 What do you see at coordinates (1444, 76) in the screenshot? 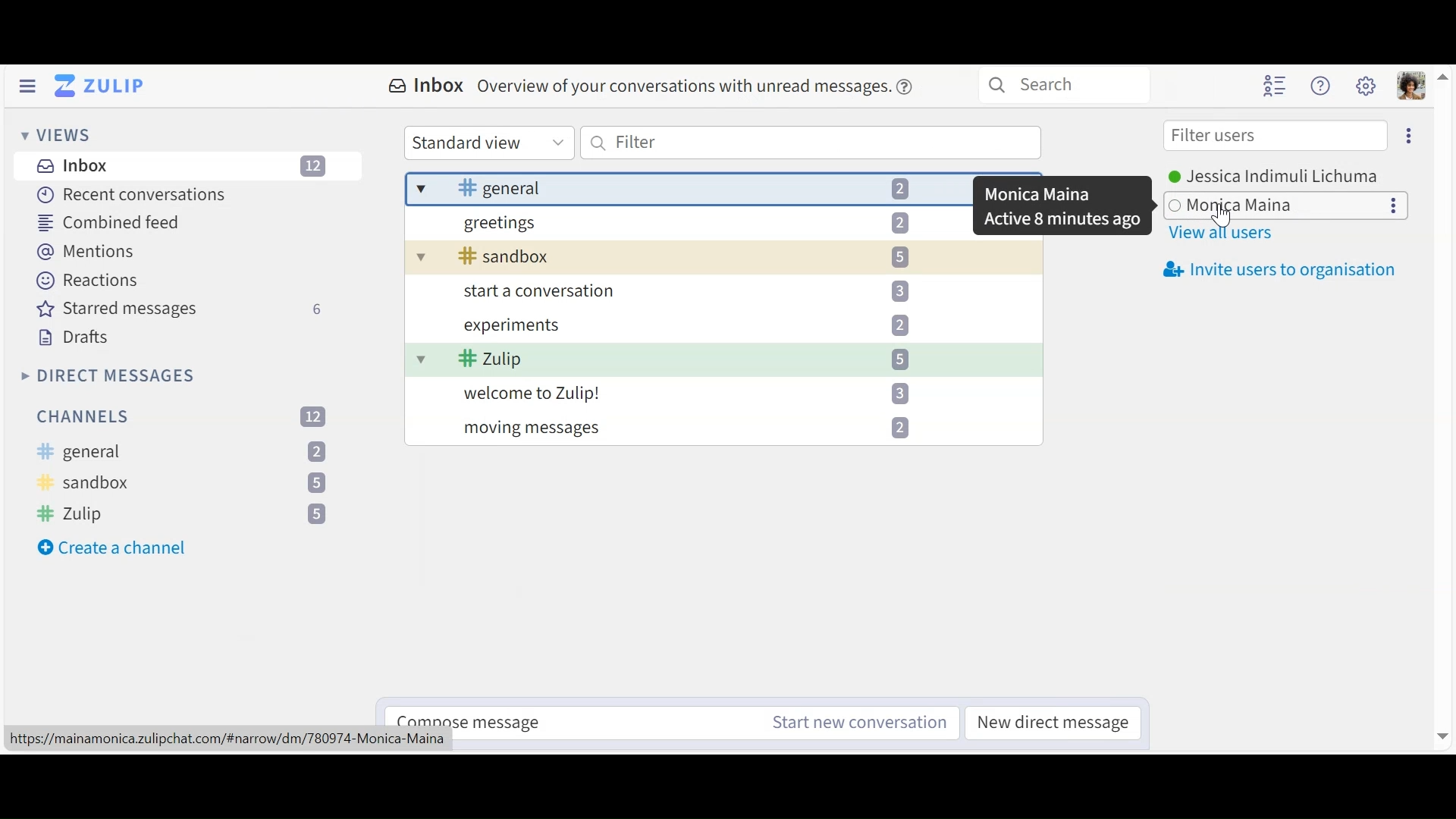
I see `move up` at bounding box center [1444, 76].